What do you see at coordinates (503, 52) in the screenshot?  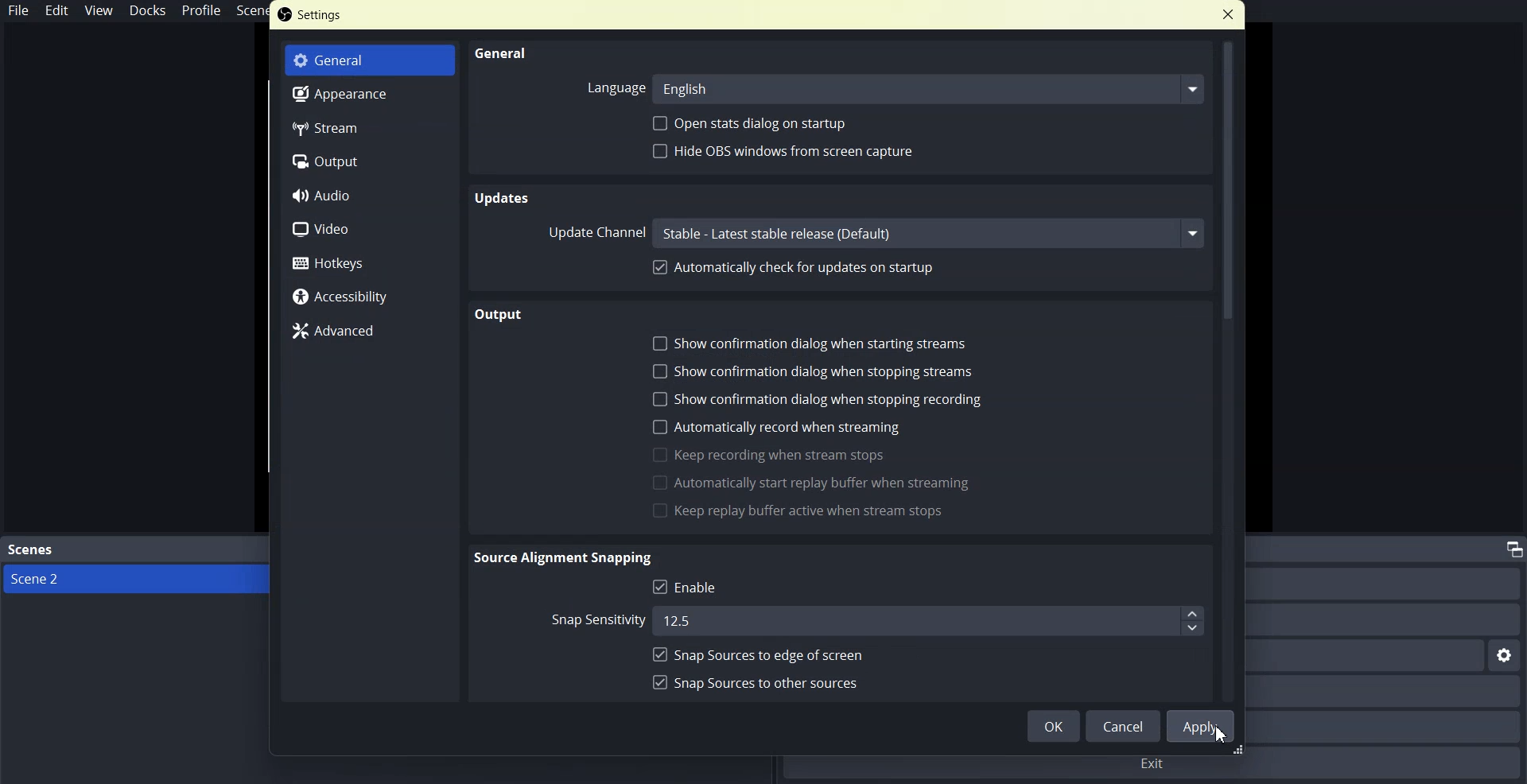 I see `General` at bounding box center [503, 52].